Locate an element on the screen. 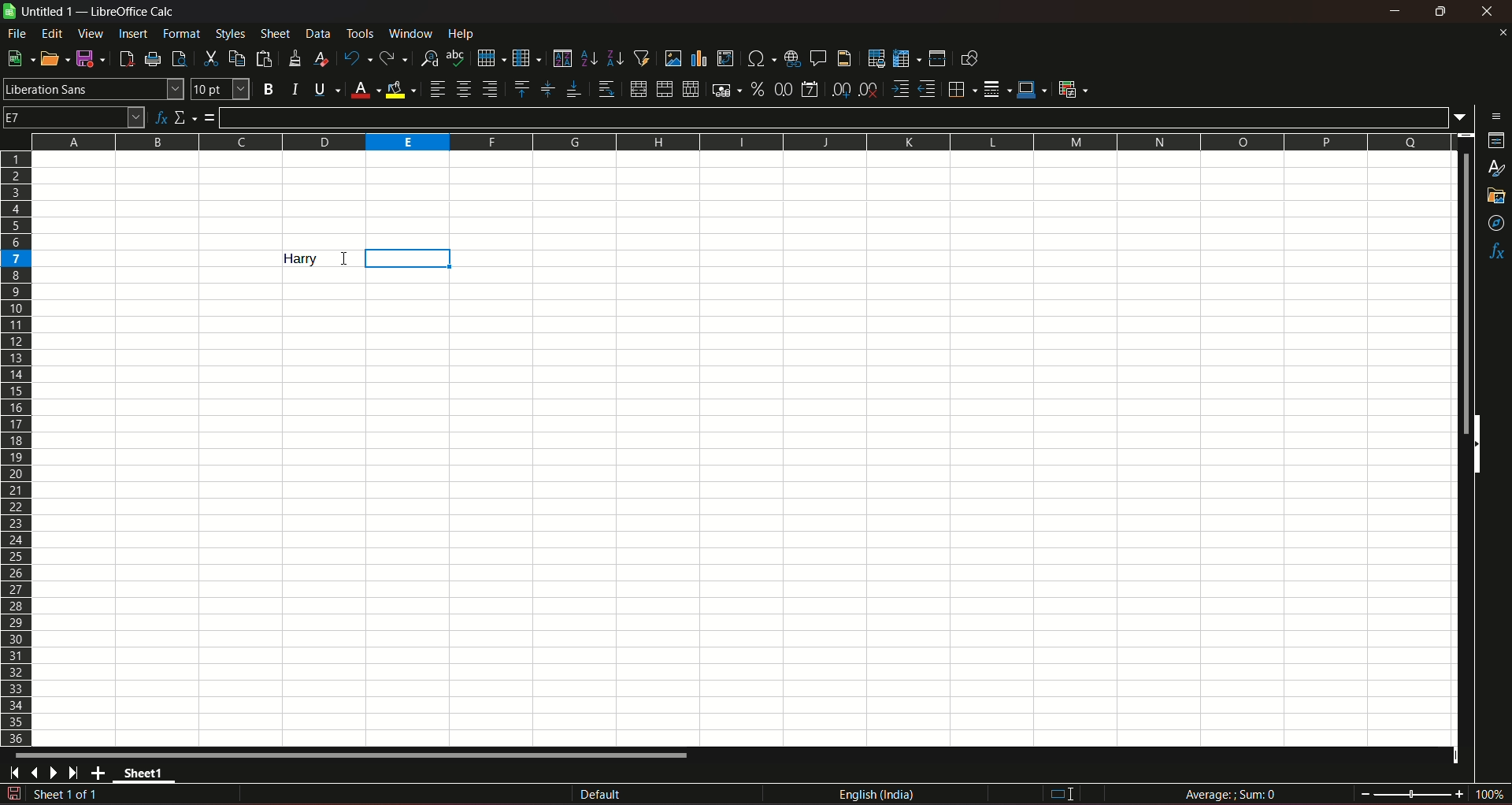 The height and width of the screenshot is (805, 1512). toggle print preview is located at coordinates (177, 57).